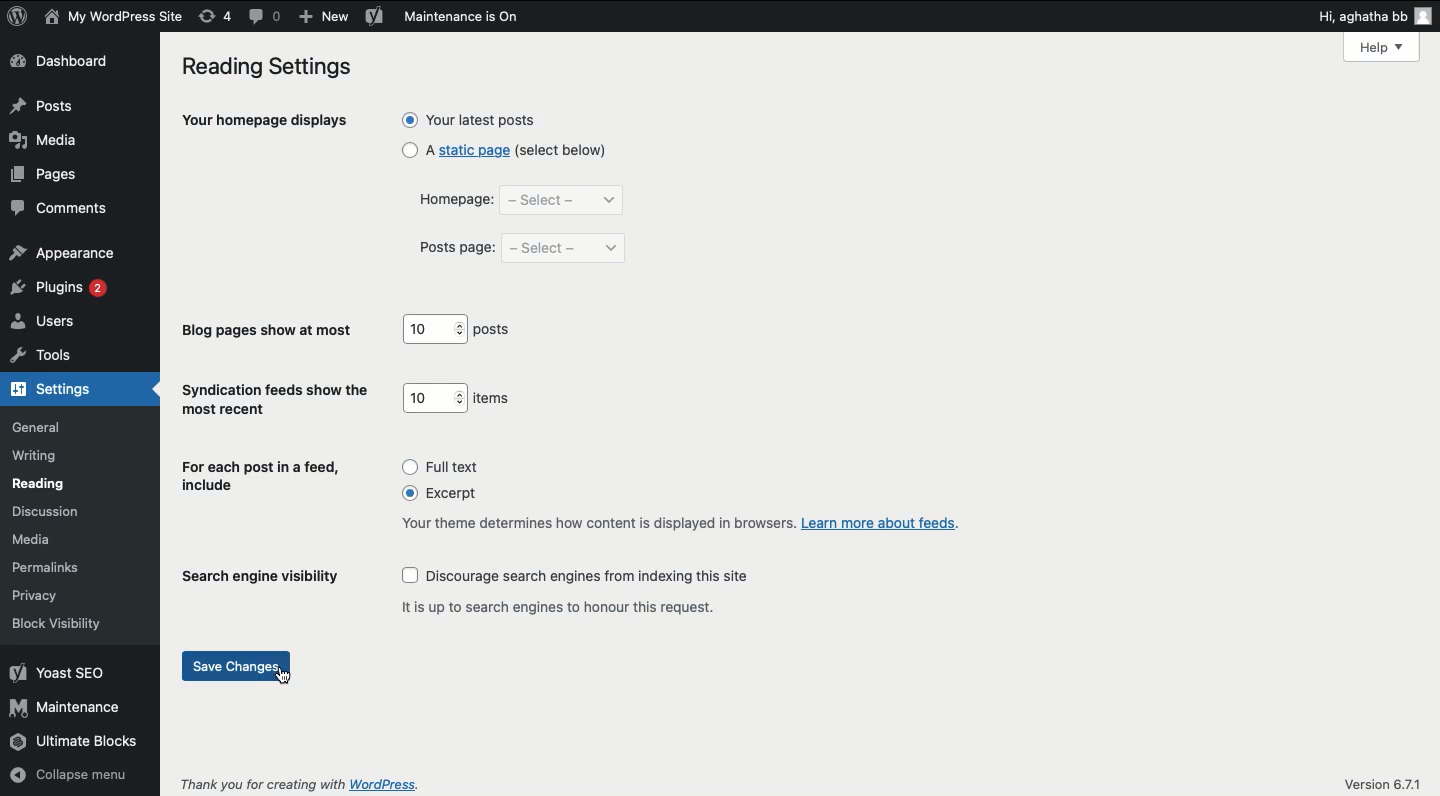 The image size is (1440, 796). What do you see at coordinates (57, 674) in the screenshot?
I see `yoast seo` at bounding box center [57, 674].